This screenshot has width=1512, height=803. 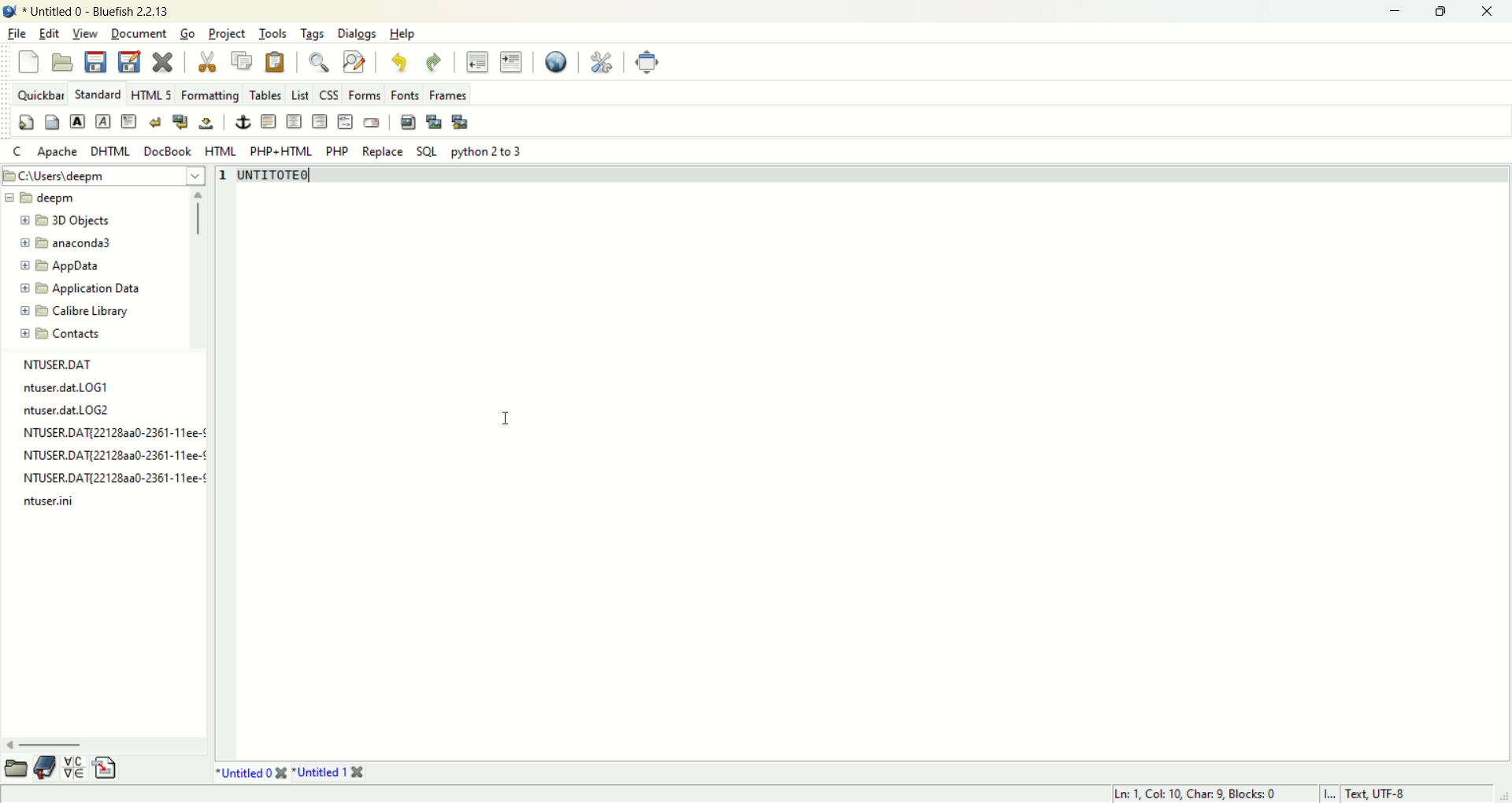 What do you see at coordinates (336, 150) in the screenshot?
I see `PHP` at bounding box center [336, 150].